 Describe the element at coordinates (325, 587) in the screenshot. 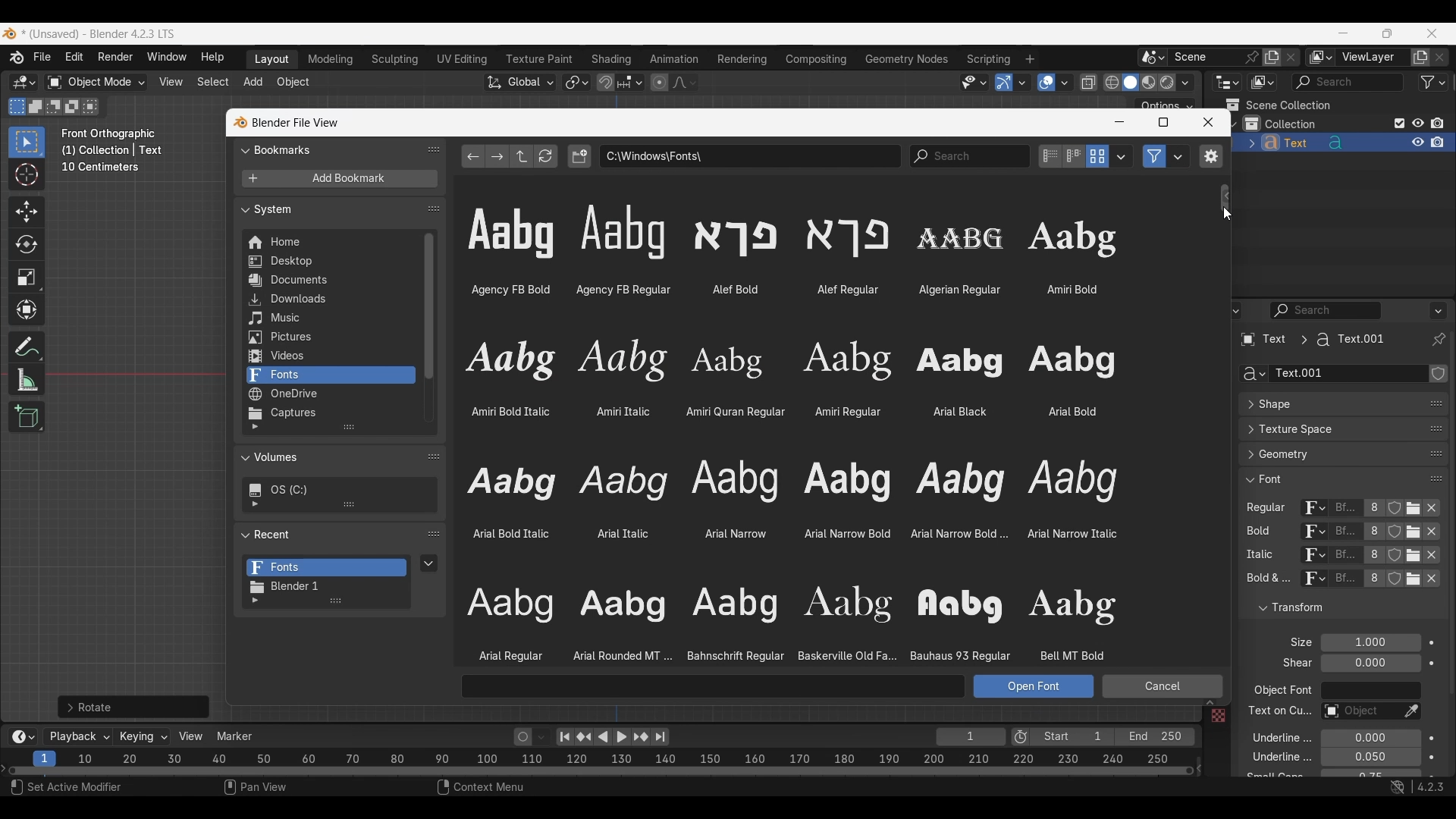

I see `Blender 1 folder` at that location.